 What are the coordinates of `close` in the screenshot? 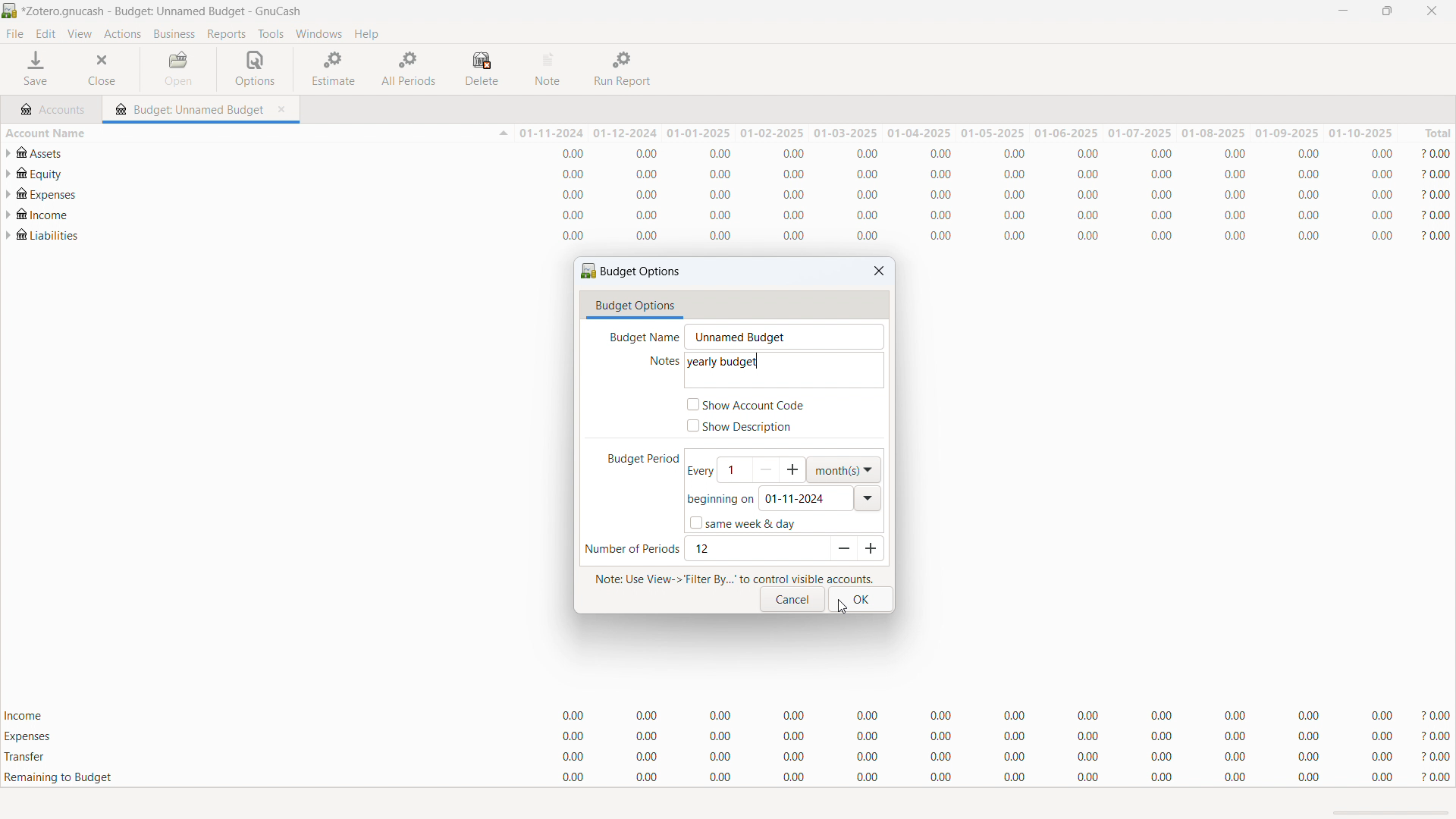 It's located at (879, 271).